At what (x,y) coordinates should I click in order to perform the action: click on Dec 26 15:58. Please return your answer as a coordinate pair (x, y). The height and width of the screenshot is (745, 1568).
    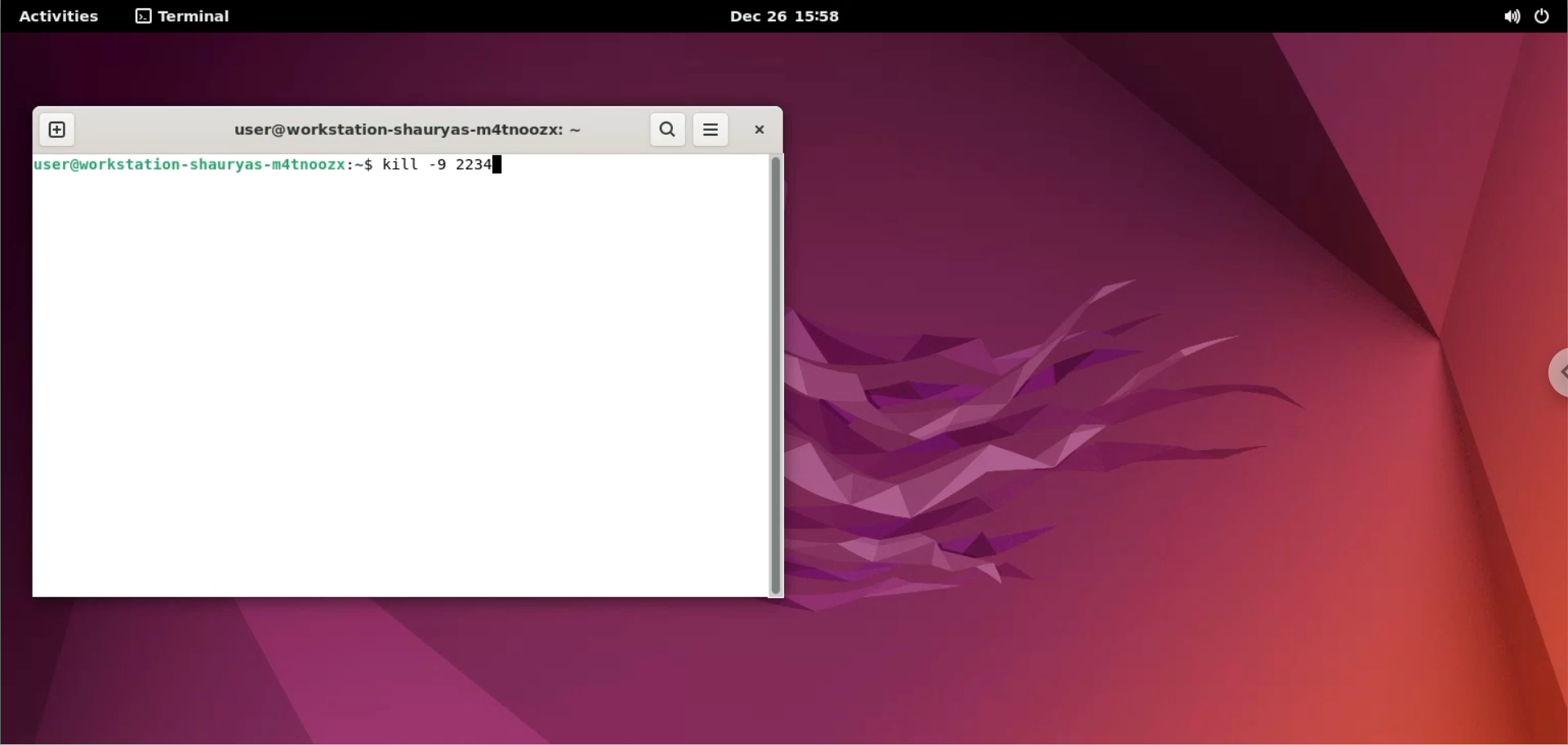
    Looking at the image, I should click on (782, 17).